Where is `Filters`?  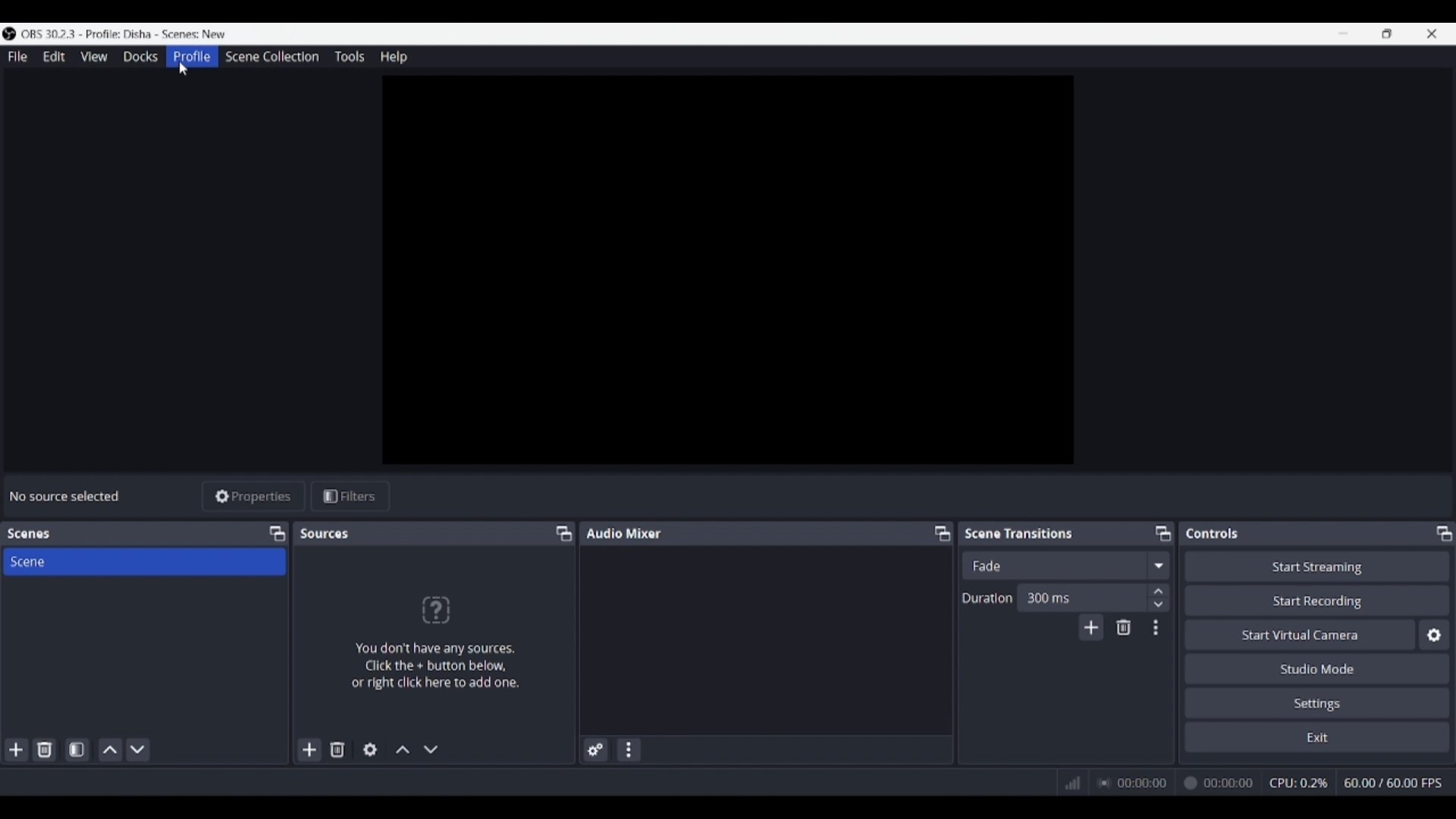 Filters is located at coordinates (350, 497).